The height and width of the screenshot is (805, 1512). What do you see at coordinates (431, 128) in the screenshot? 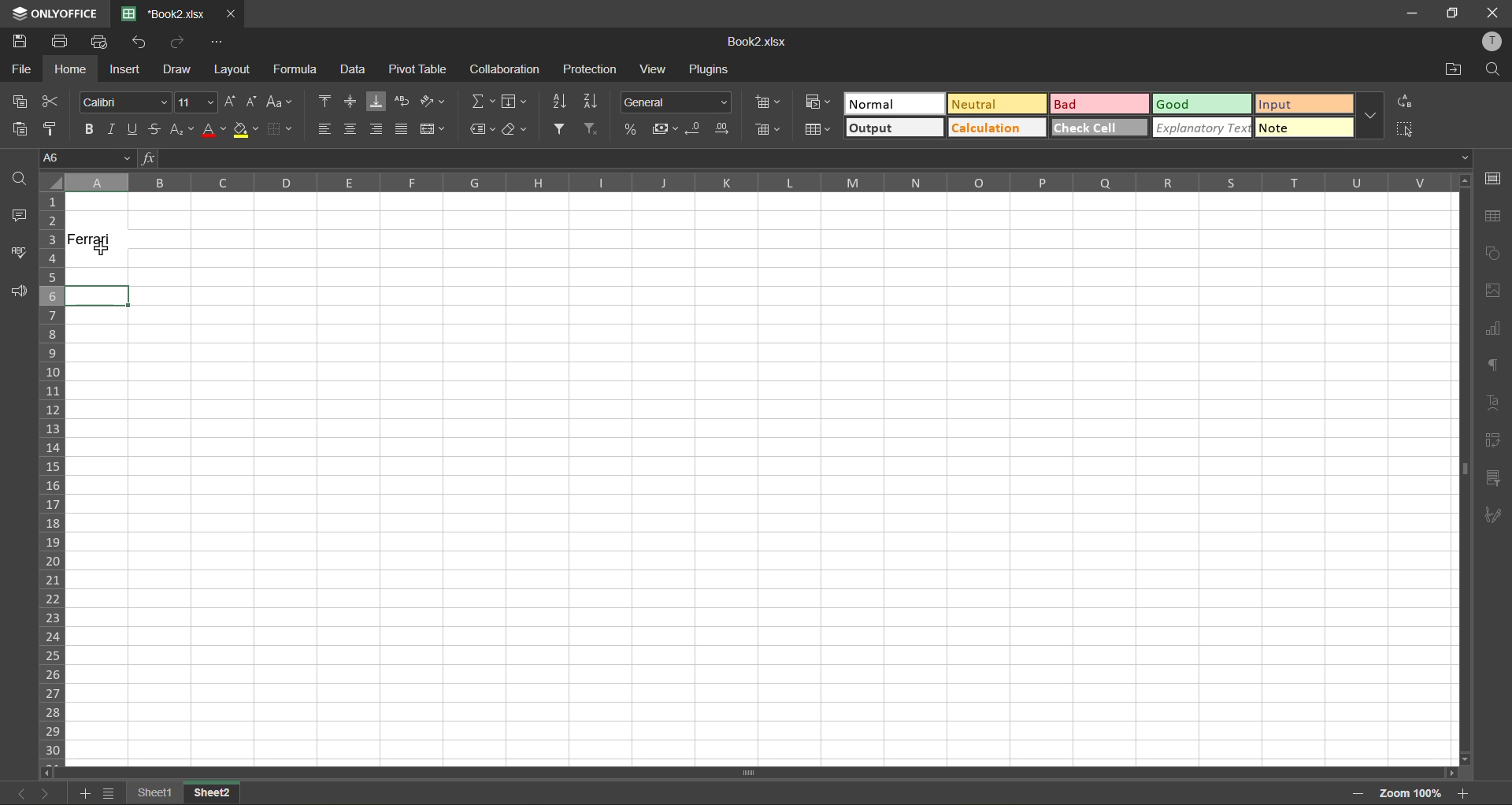
I see `merge and center` at bounding box center [431, 128].